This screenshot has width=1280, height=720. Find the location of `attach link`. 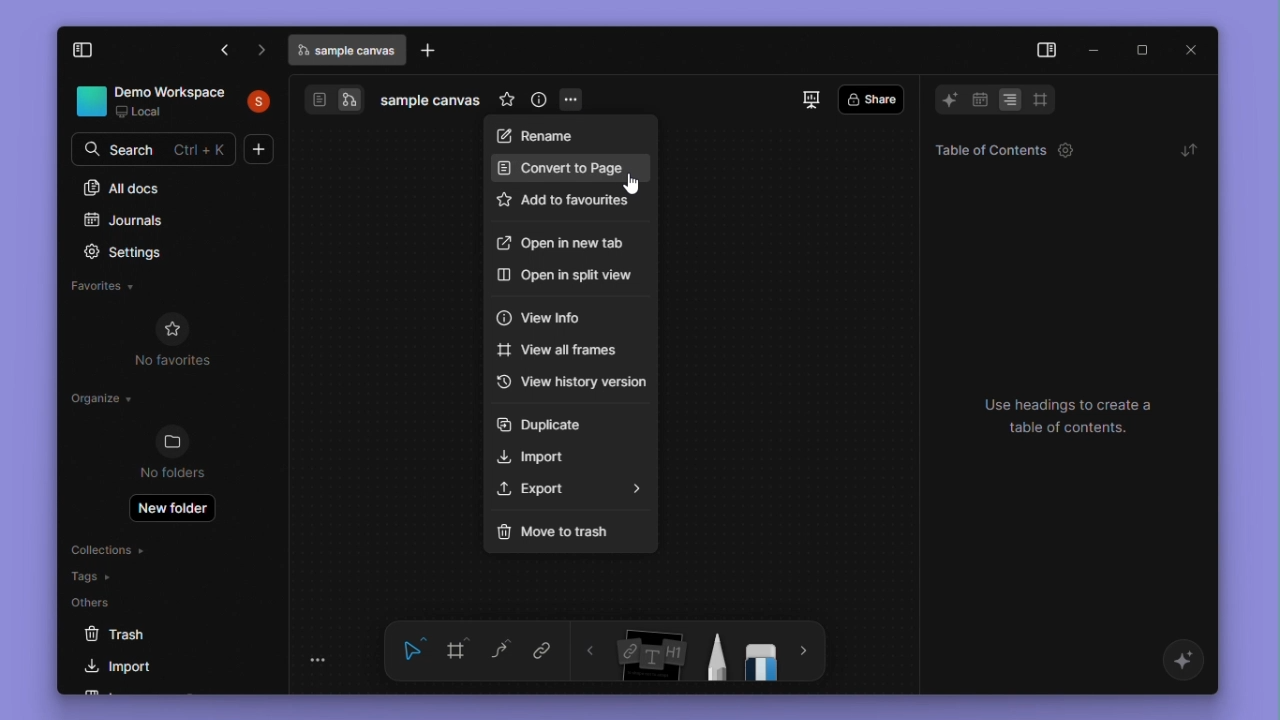

attach link is located at coordinates (540, 650).